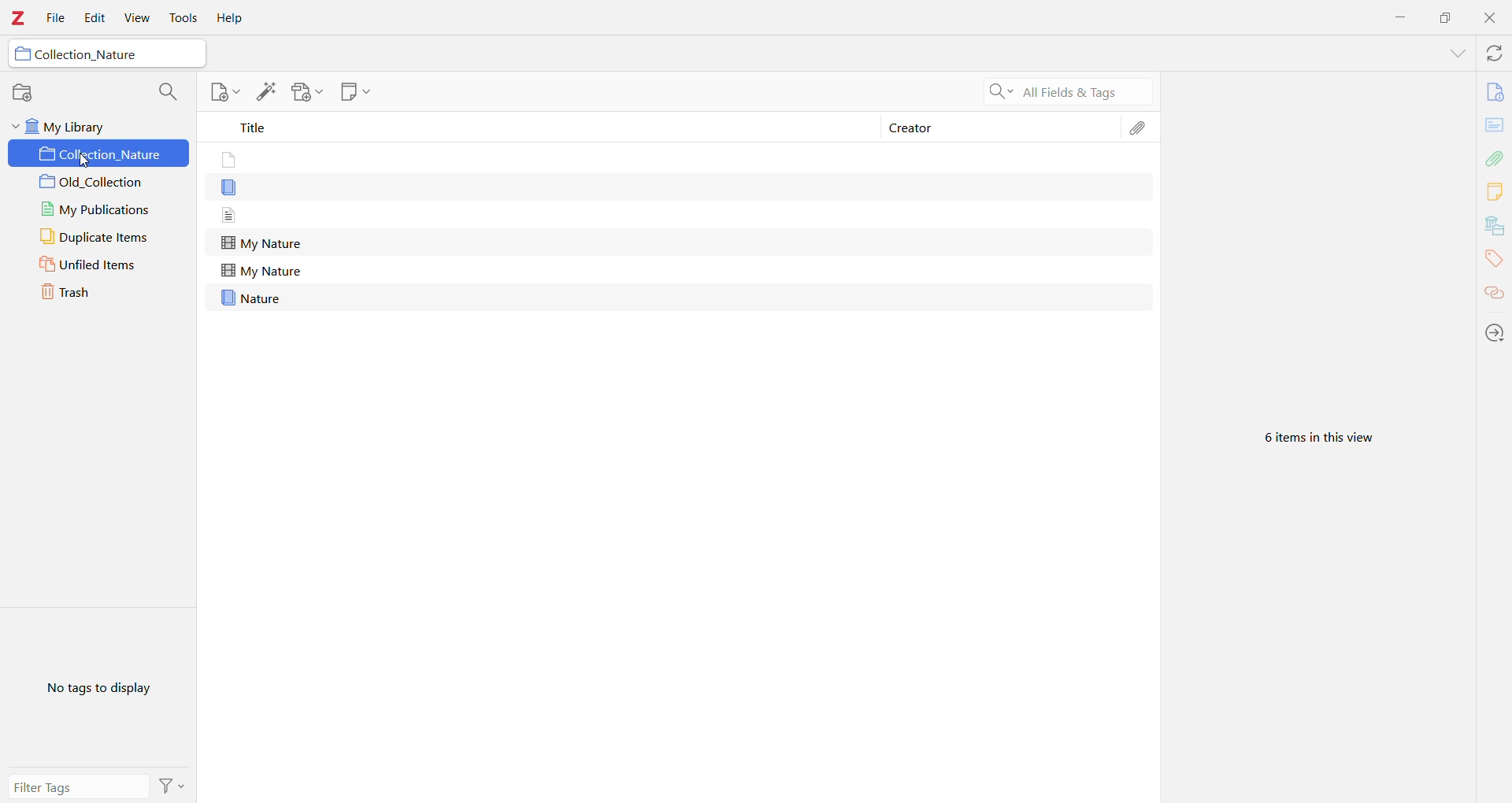 This screenshot has height=803, width=1512. Describe the element at coordinates (1495, 157) in the screenshot. I see `Attachments` at that location.